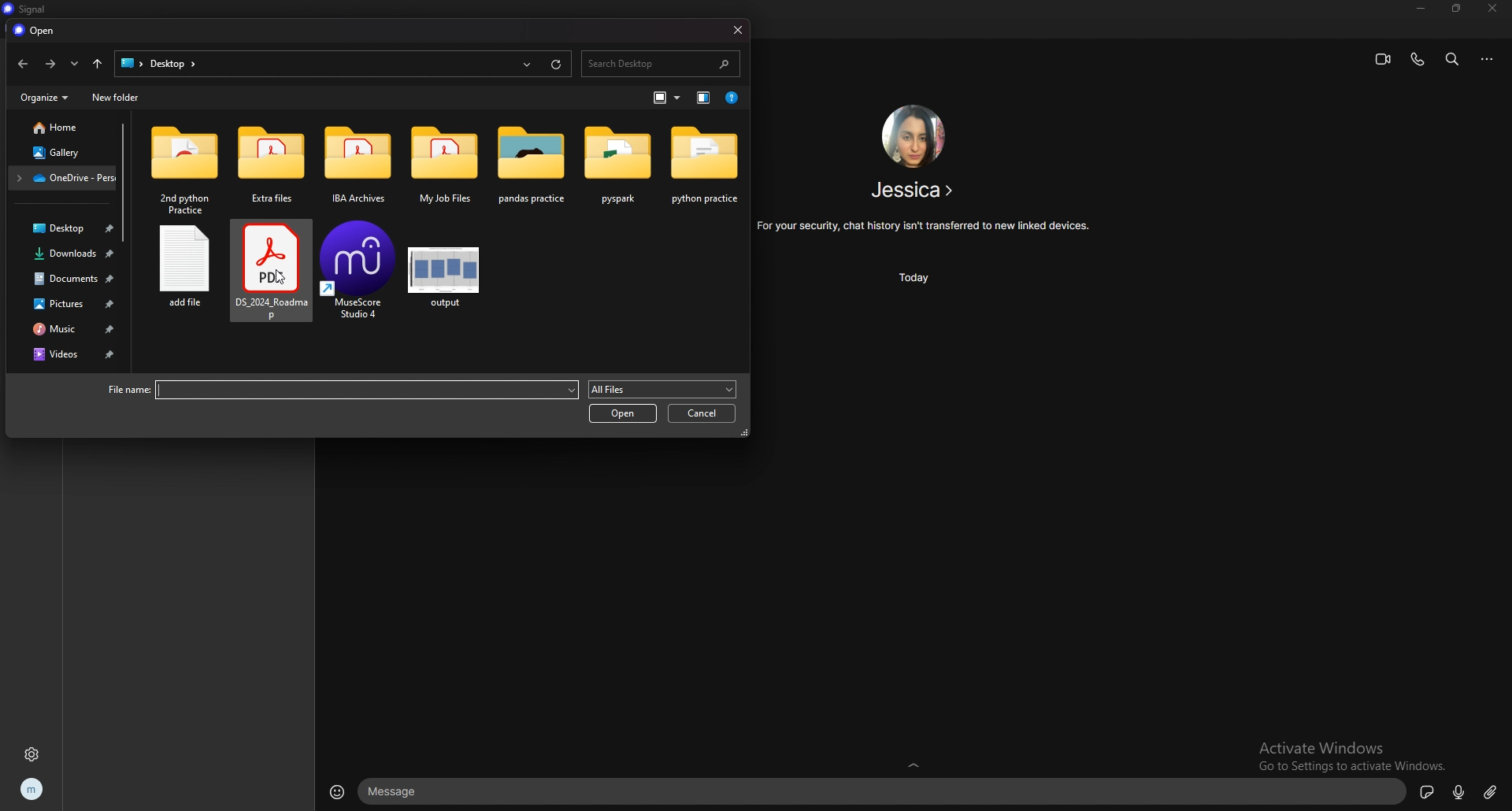  Describe the element at coordinates (445, 169) in the screenshot. I see `folder` at that location.